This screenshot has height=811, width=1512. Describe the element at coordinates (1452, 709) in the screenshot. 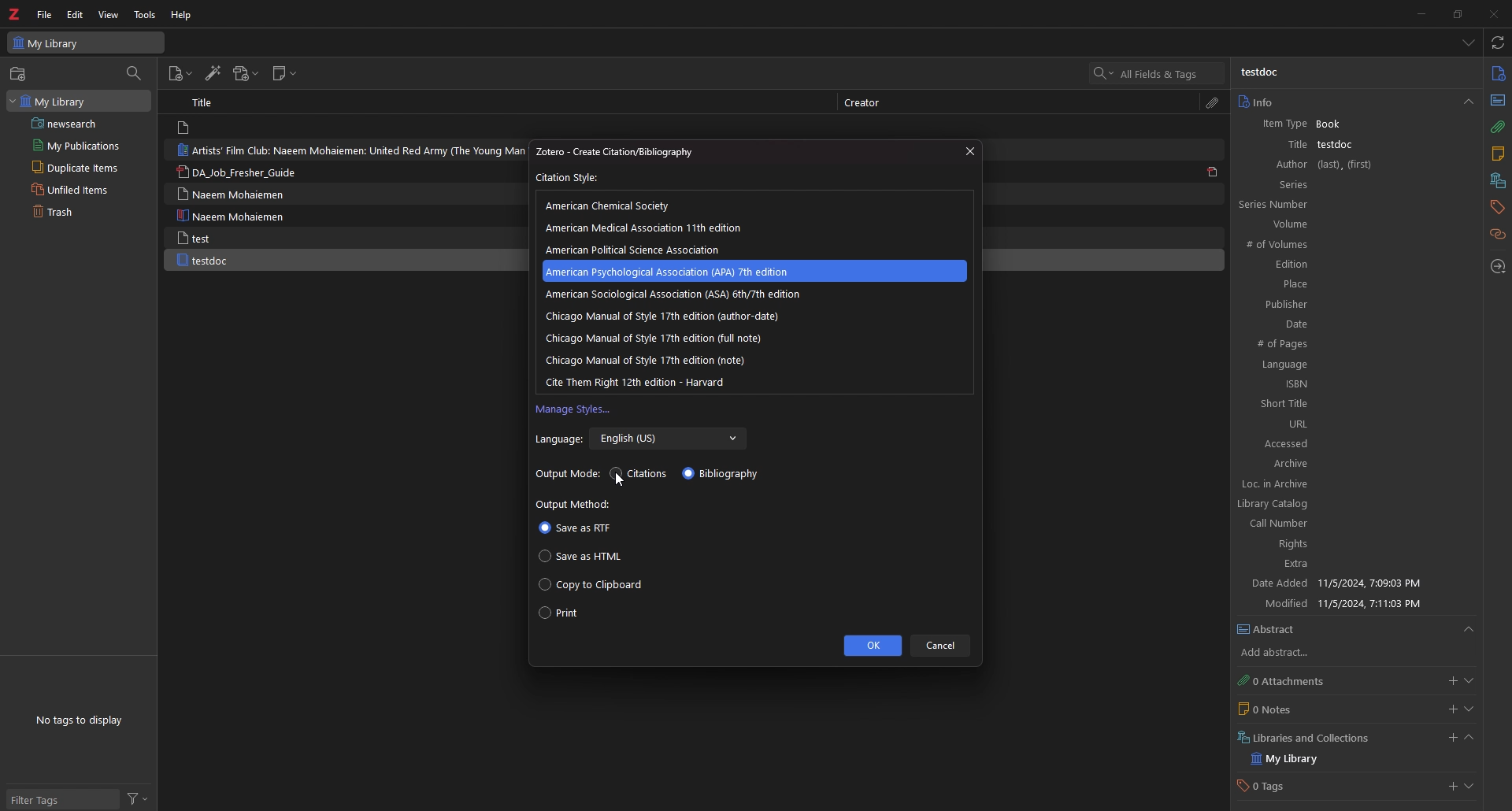

I see `add notes` at that location.